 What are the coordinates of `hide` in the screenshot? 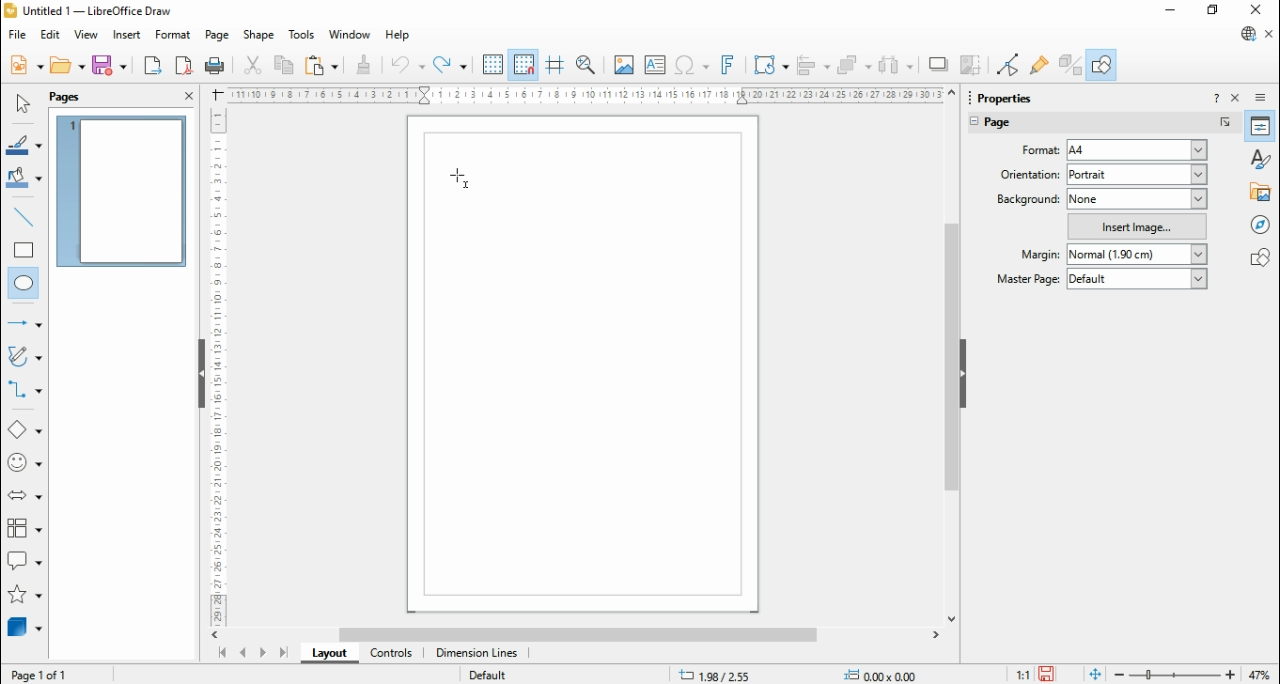 It's located at (962, 374).